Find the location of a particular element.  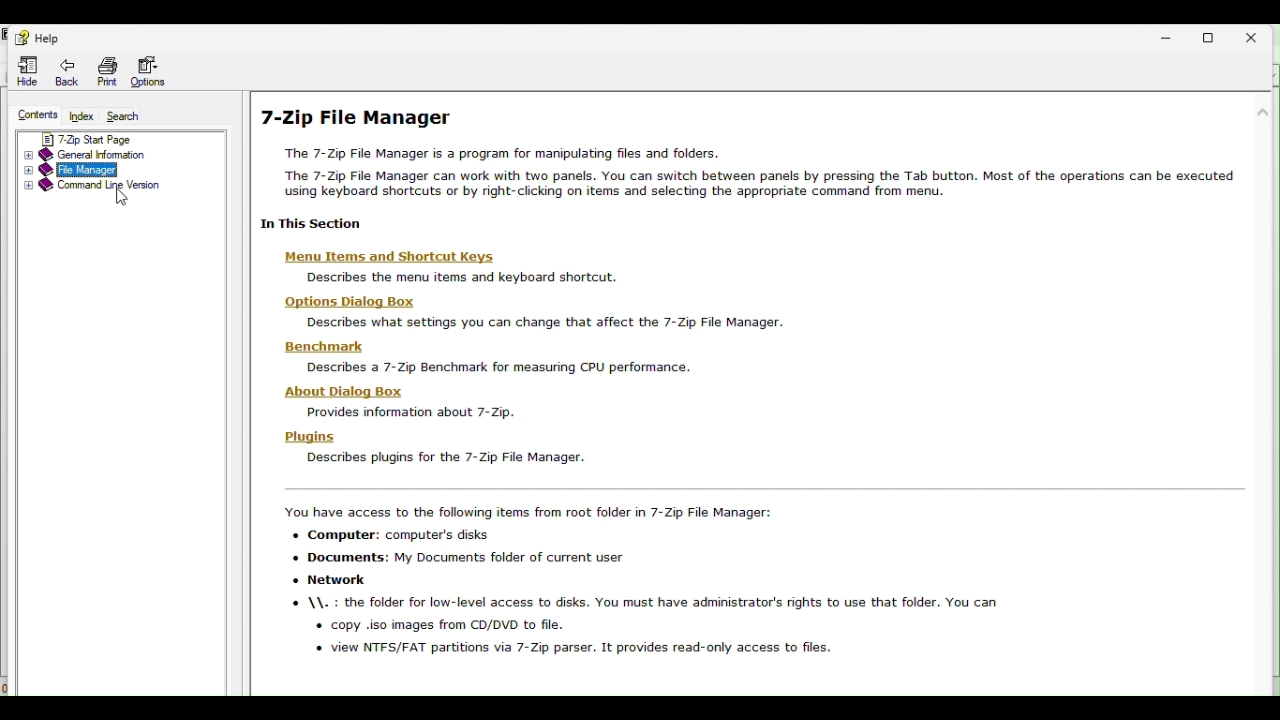

Back  is located at coordinates (71, 70).